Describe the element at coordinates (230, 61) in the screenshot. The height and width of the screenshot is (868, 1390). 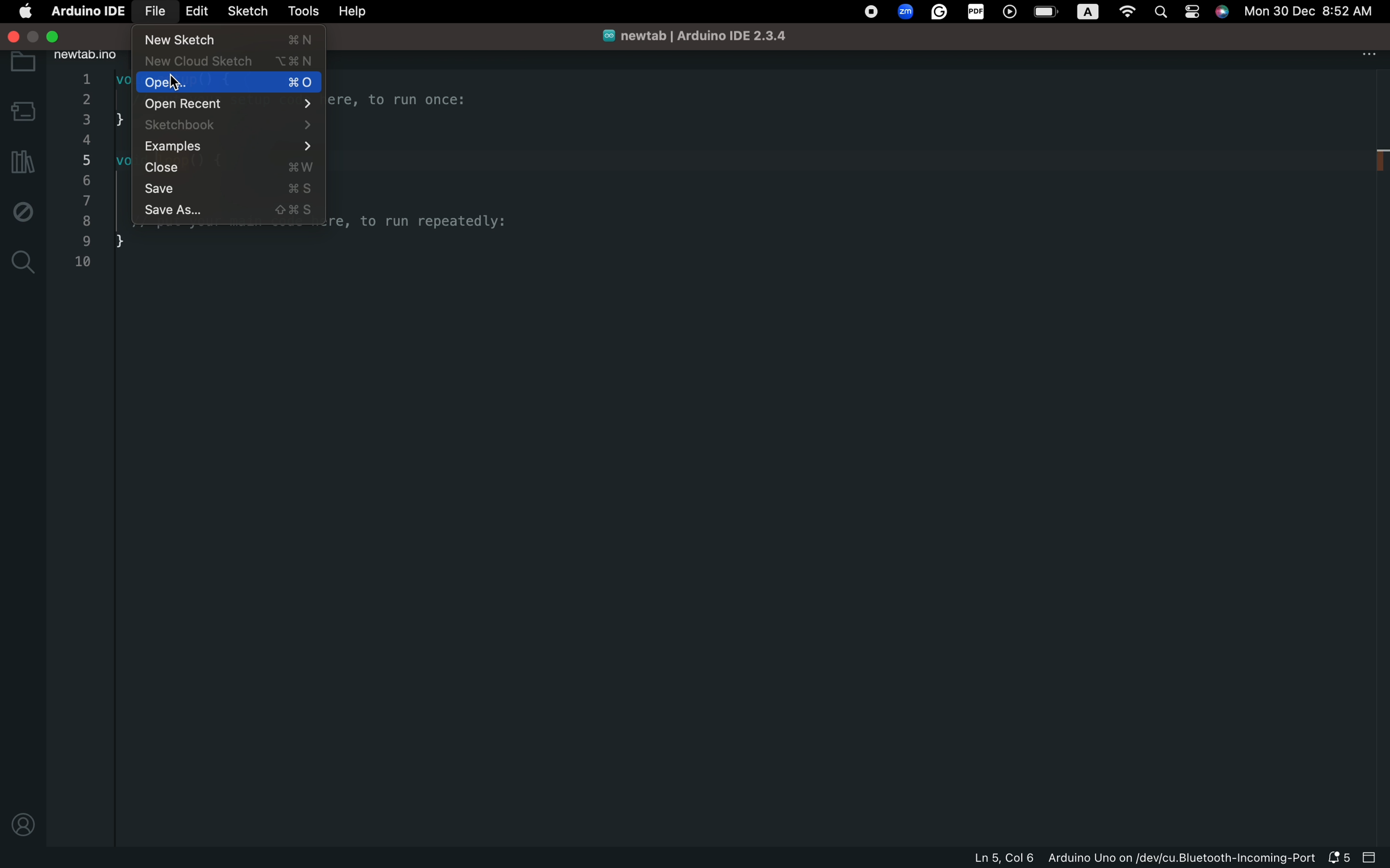
I see `new cloud sketch` at that location.